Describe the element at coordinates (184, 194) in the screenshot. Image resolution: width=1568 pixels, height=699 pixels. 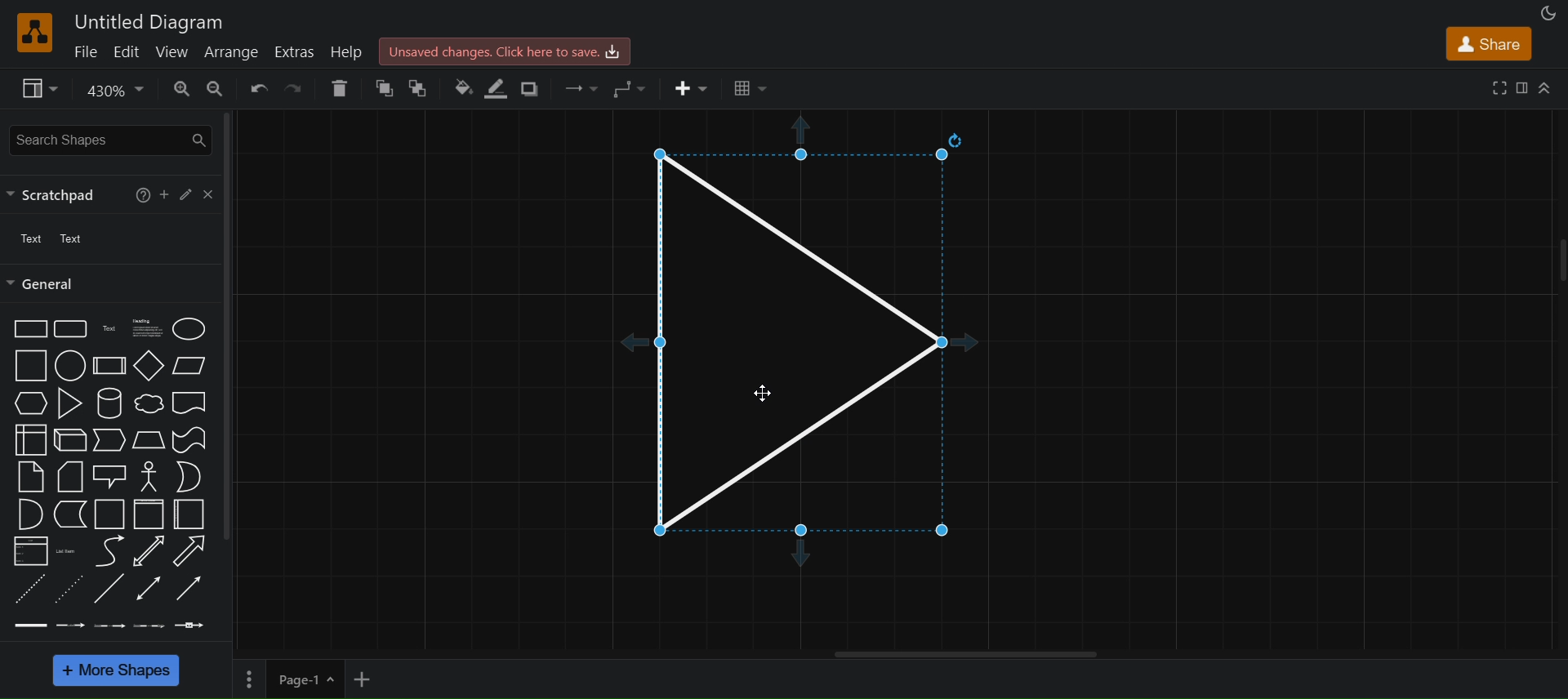
I see `edit` at that location.